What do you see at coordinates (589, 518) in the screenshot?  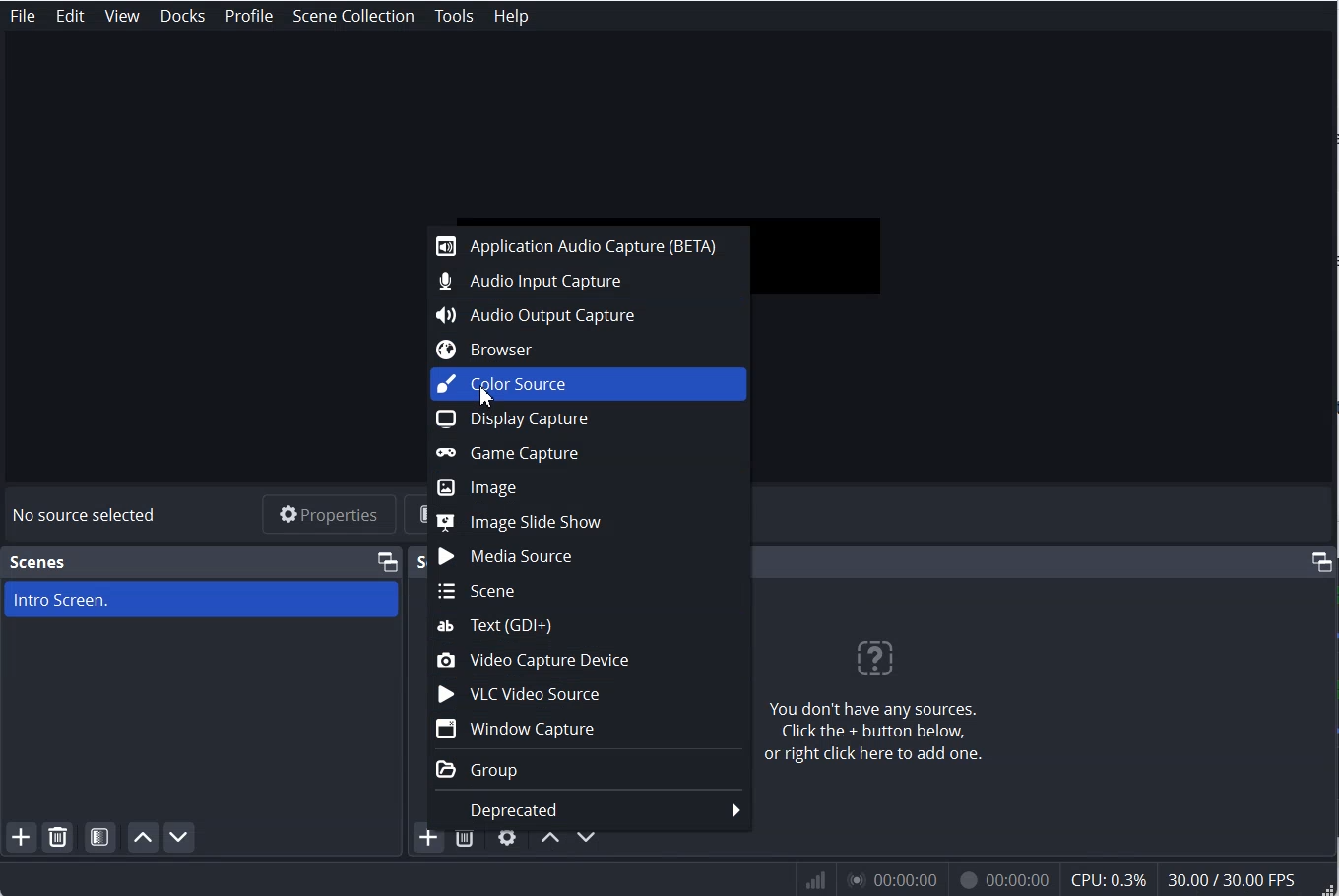 I see `Image Slide Show` at bounding box center [589, 518].